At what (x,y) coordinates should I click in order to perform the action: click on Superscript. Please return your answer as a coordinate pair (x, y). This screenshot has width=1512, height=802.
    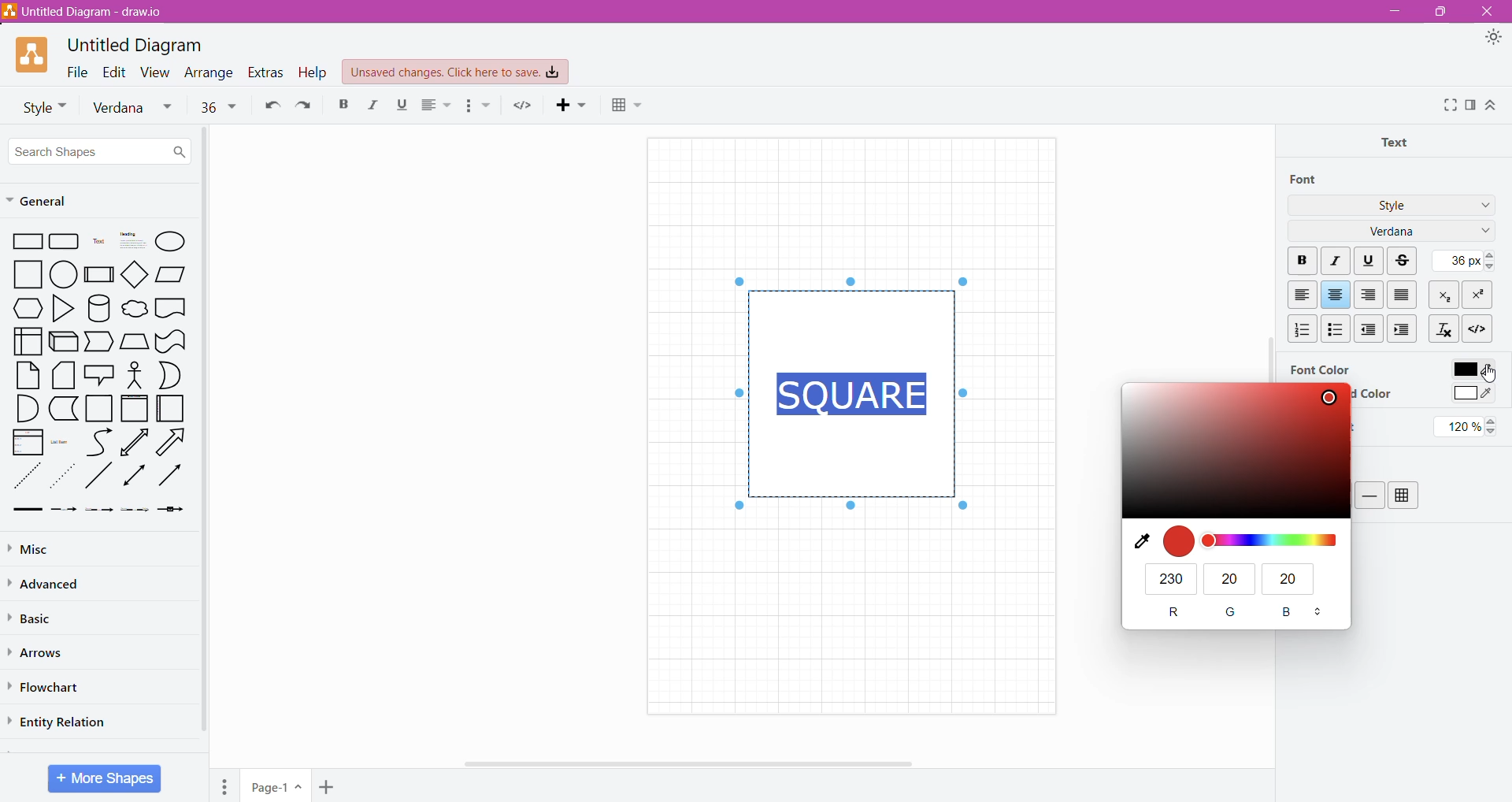
    Looking at the image, I should click on (1477, 295).